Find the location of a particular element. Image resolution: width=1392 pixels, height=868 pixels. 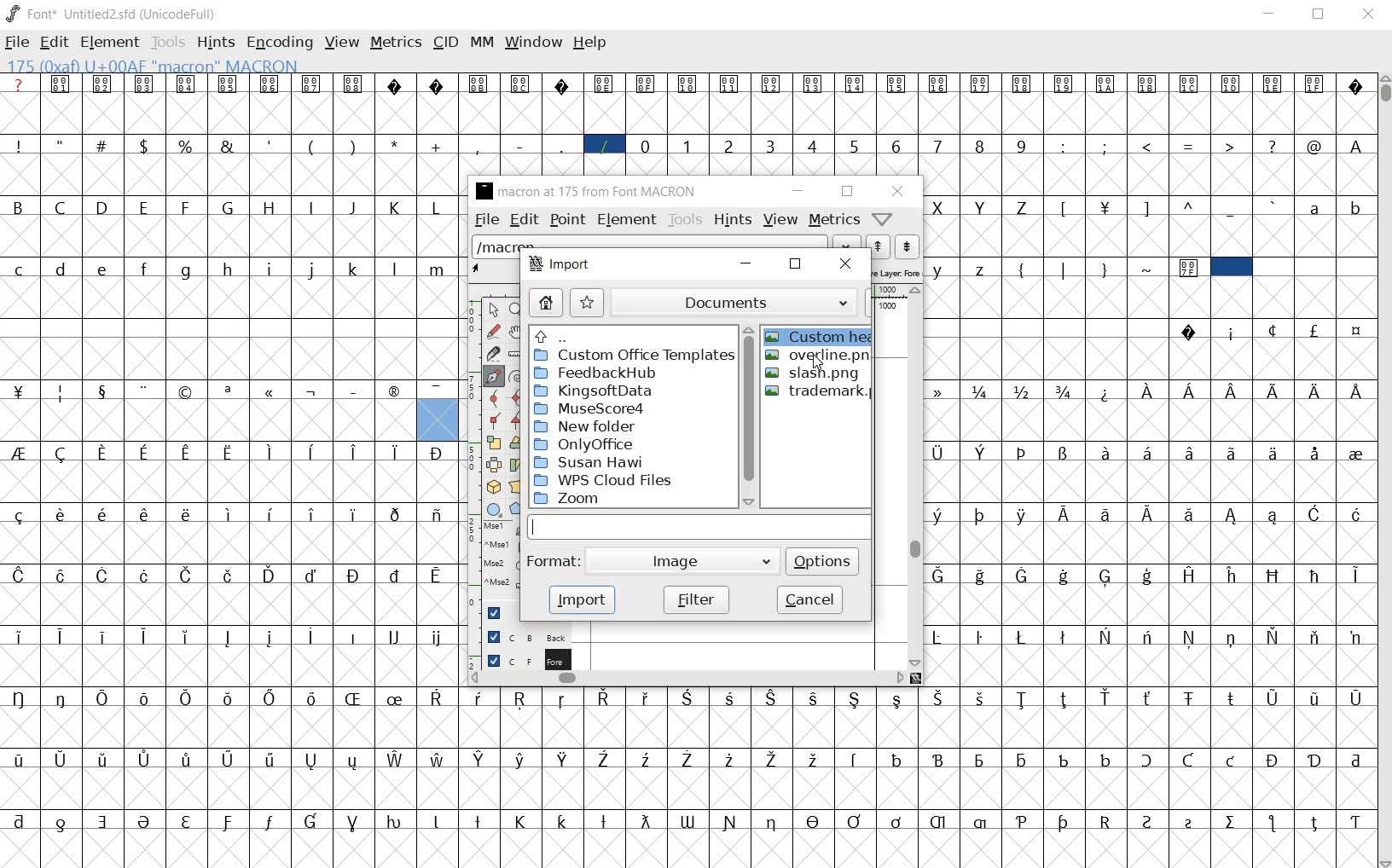

Tools is located at coordinates (168, 42).